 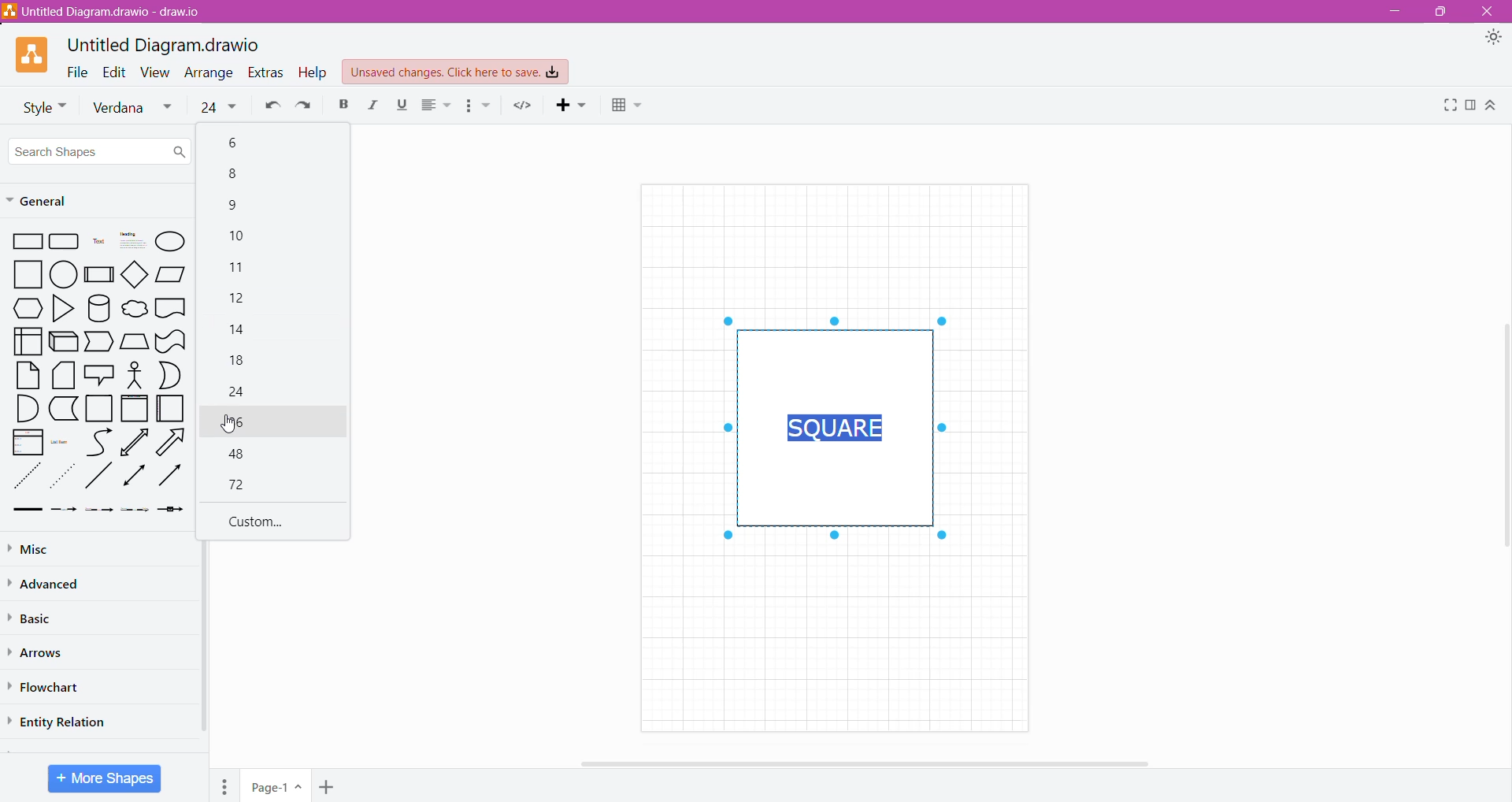 What do you see at coordinates (170, 409) in the screenshot?
I see `Folded Paper ` at bounding box center [170, 409].